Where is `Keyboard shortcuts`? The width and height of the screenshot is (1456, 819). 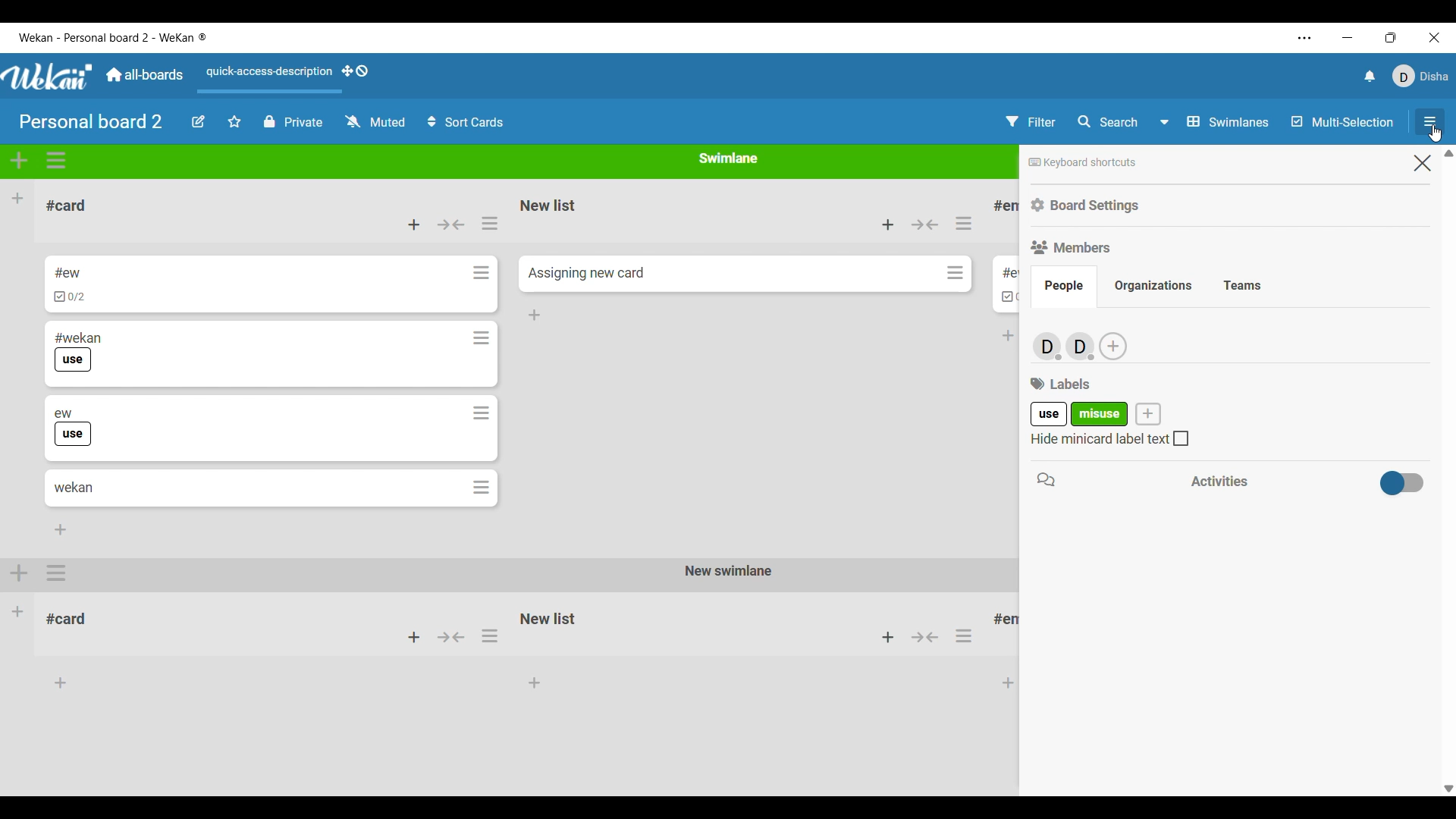 Keyboard shortcuts is located at coordinates (1083, 163).